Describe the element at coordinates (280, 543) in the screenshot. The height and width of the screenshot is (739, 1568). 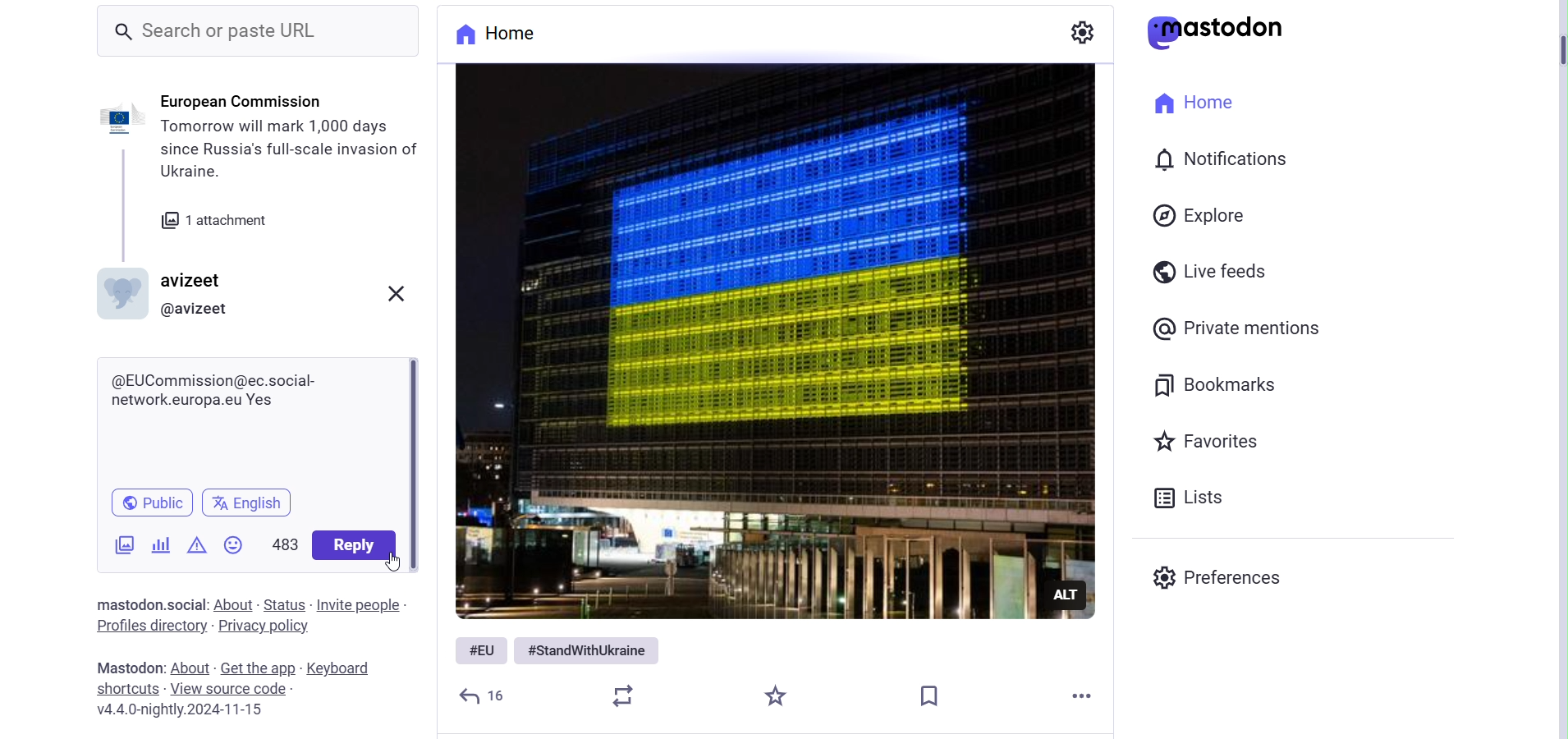
I see `Word Limit` at that location.